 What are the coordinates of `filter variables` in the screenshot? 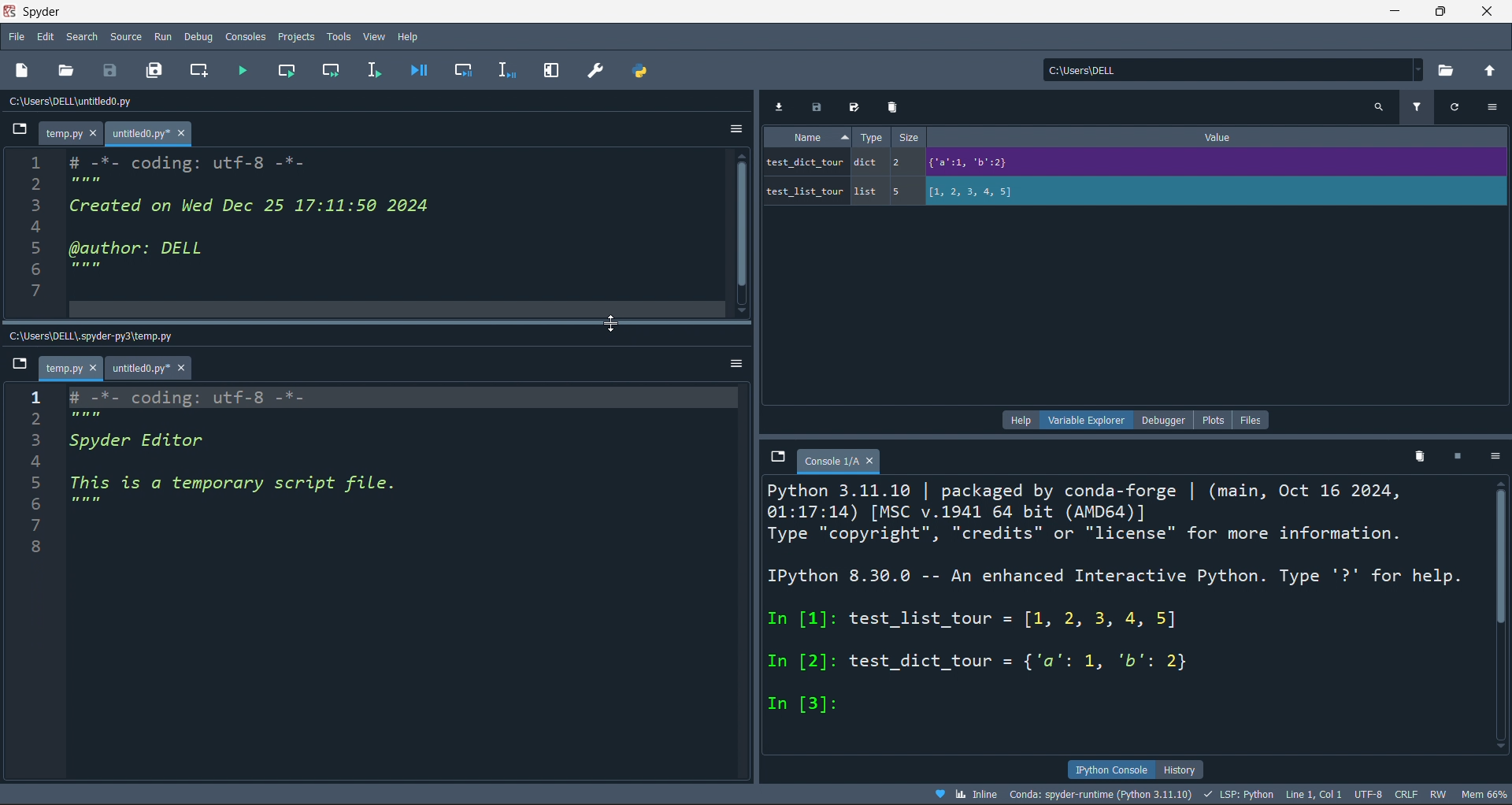 It's located at (1421, 106).